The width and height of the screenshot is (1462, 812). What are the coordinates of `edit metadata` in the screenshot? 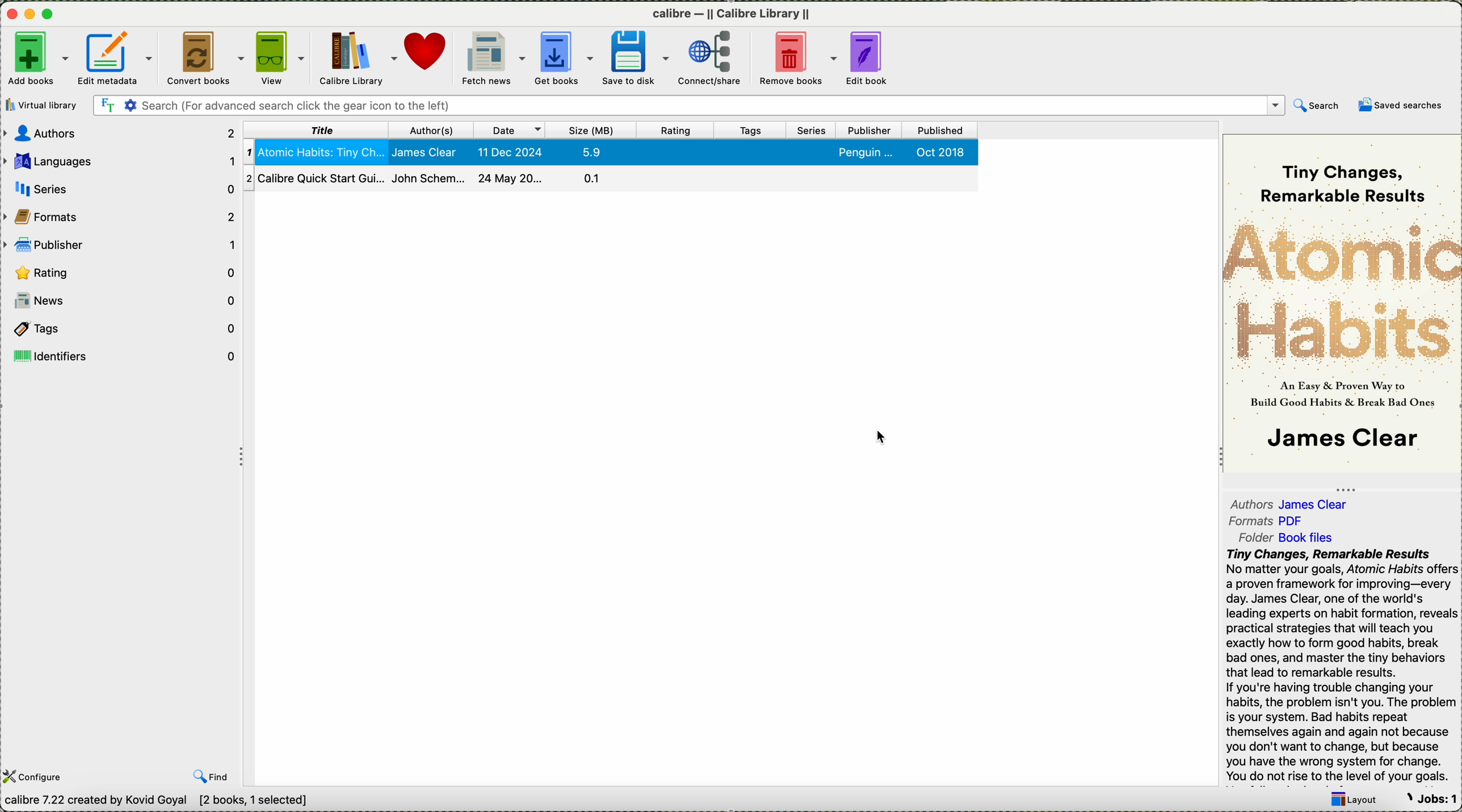 It's located at (117, 58).